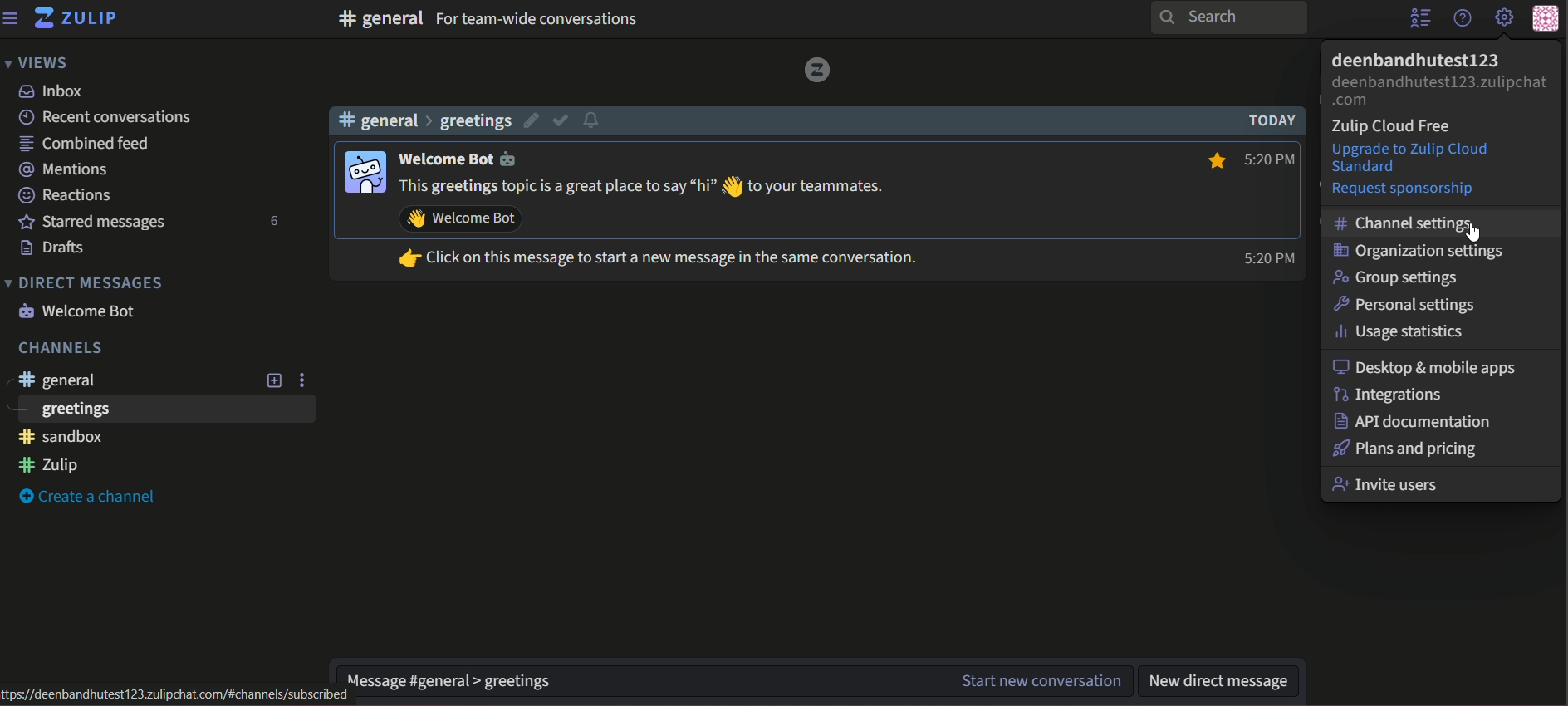  Describe the element at coordinates (61, 438) in the screenshot. I see `sandbox` at that location.